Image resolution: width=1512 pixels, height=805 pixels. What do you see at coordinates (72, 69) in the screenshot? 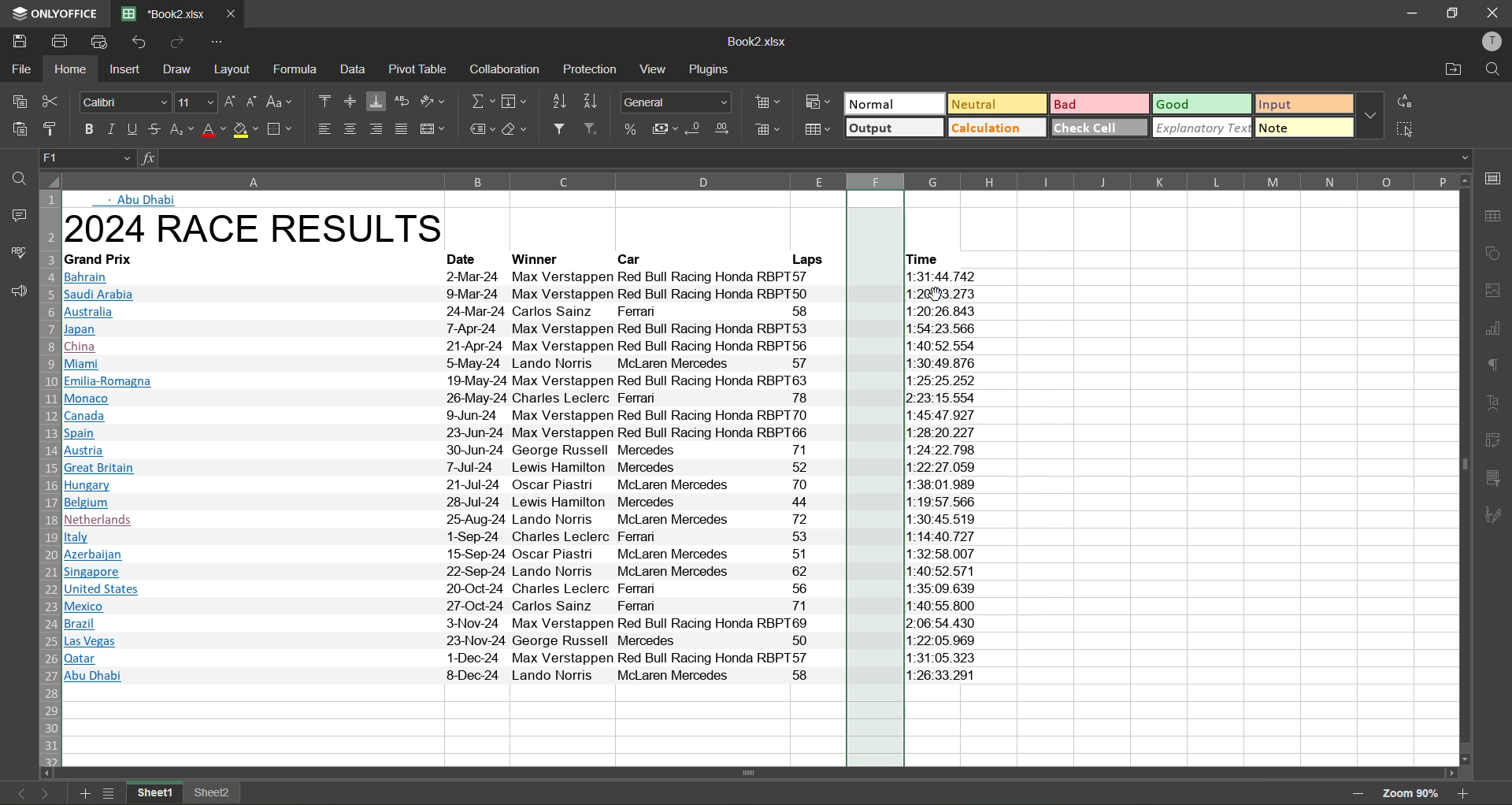
I see `home` at bounding box center [72, 69].